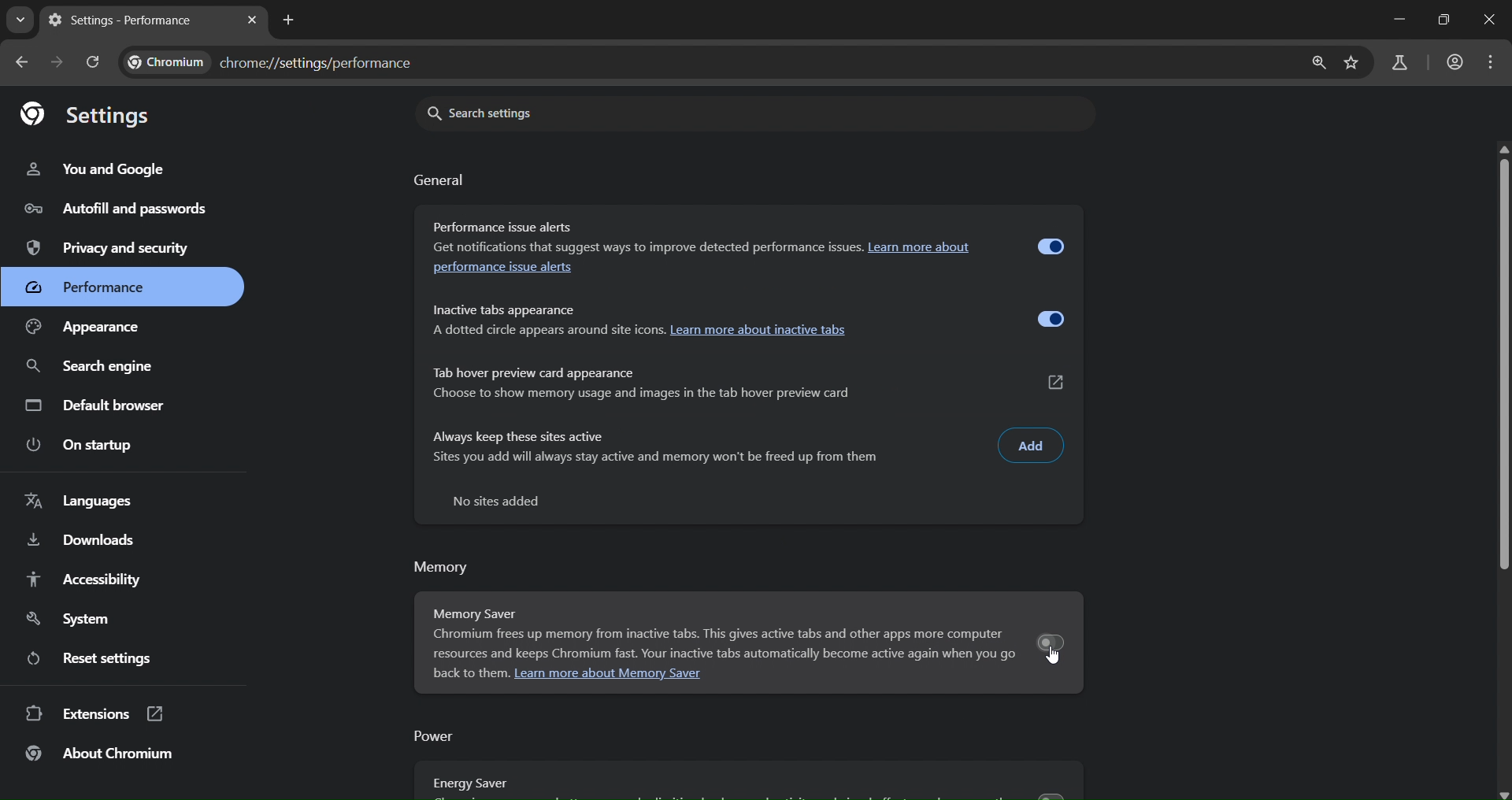  What do you see at coordinates (1444, 20) in the screenshot?
I see `restore down` at bounding box center [1444, 20].